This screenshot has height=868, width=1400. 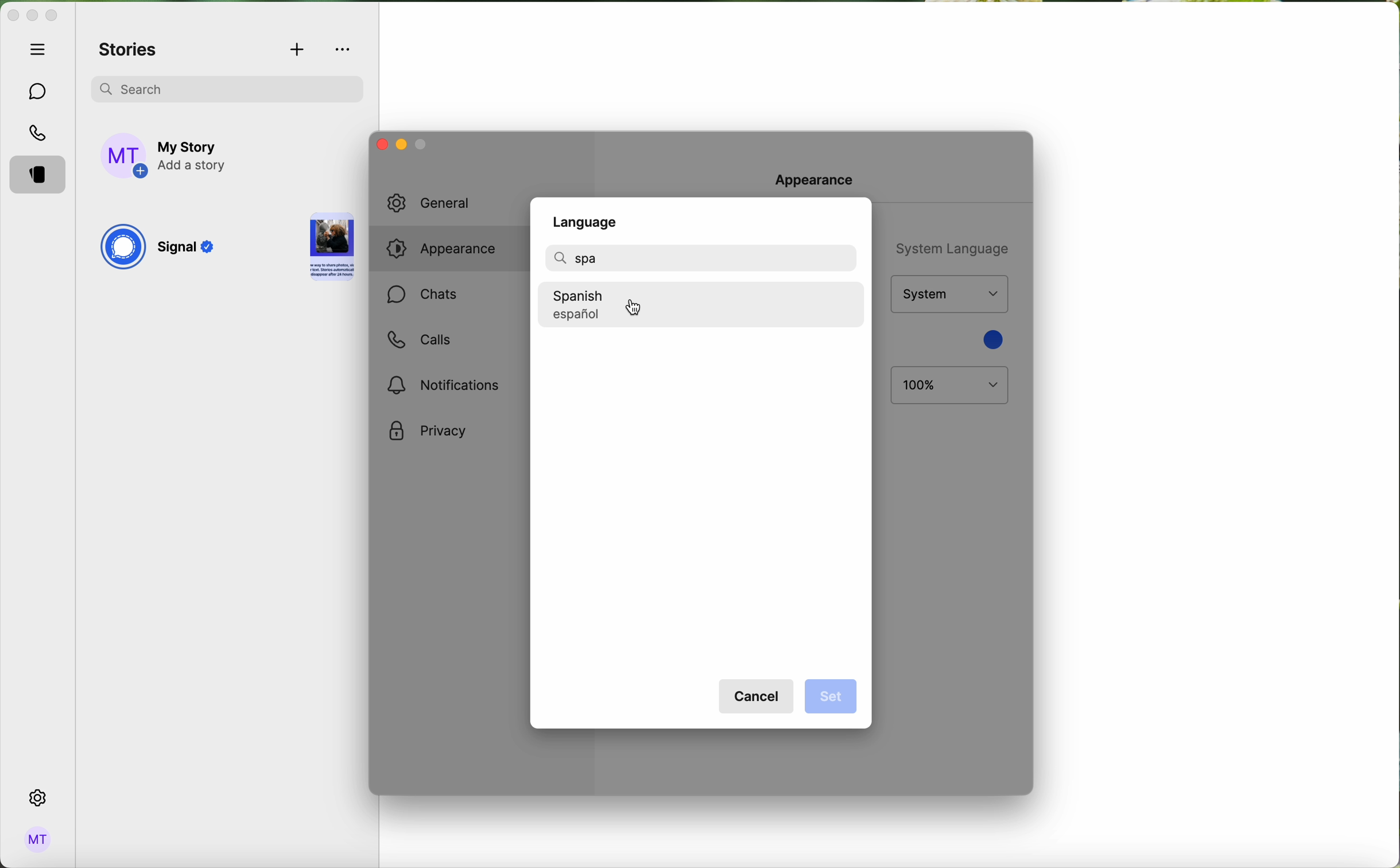 What do you see at coordinates (227, 87) in the screenshot?
I see `search bar` at bounding box center [227, 87].